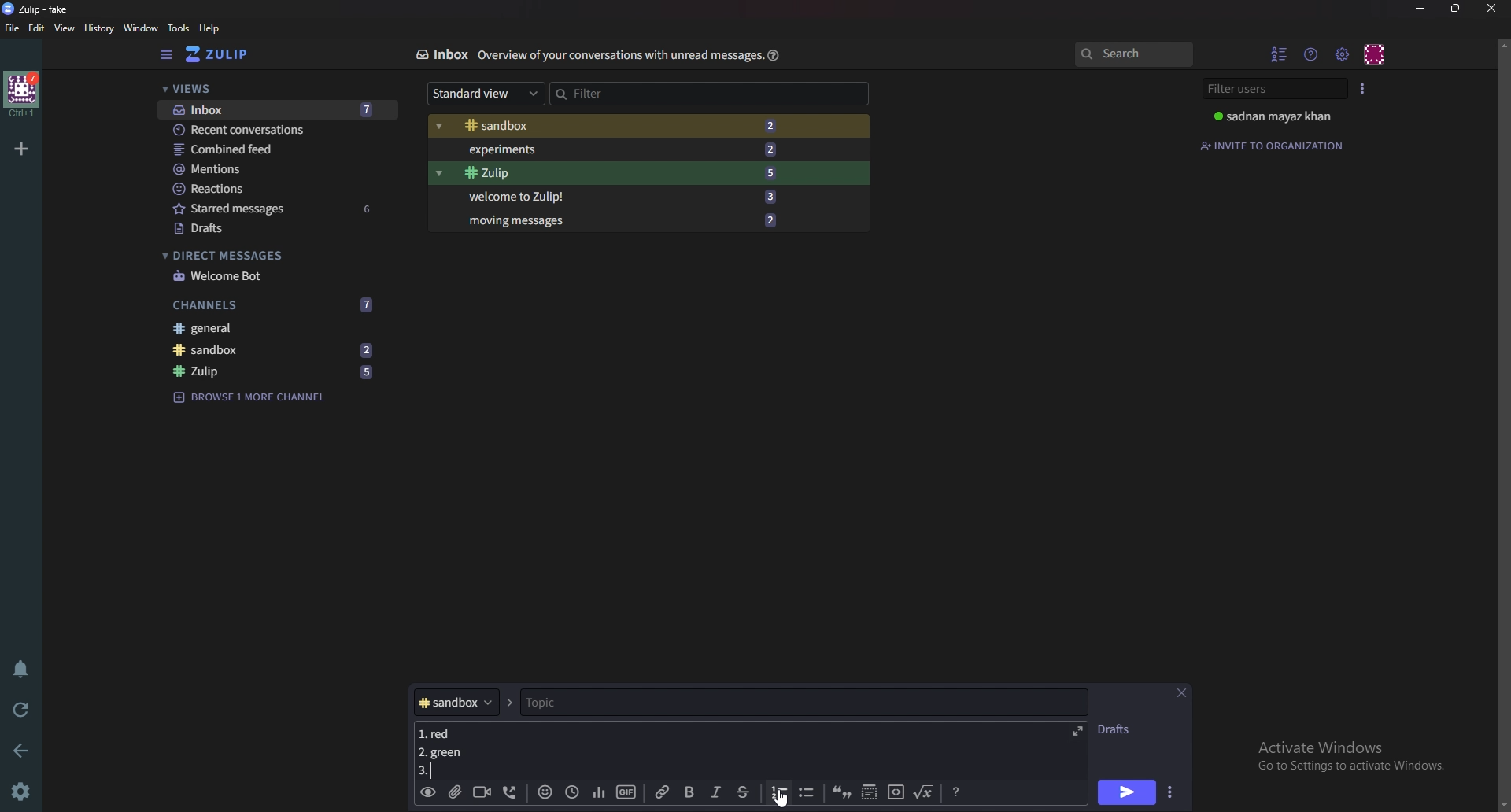 This screenshot has width=1511, height=812. I want to click on Info, so click(616, 56).